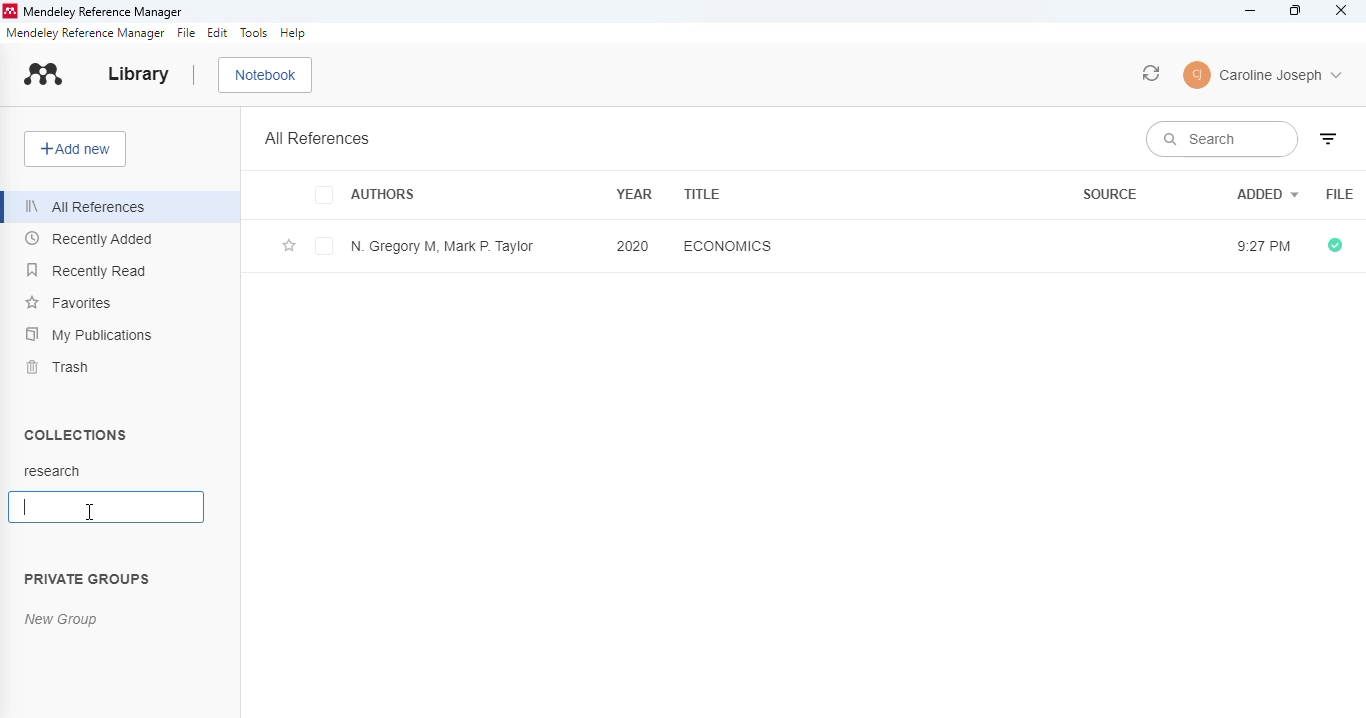  What do you see at coordinates (56, 367) in the screenshot?
I see `trash` at bounding box center [56, 367].